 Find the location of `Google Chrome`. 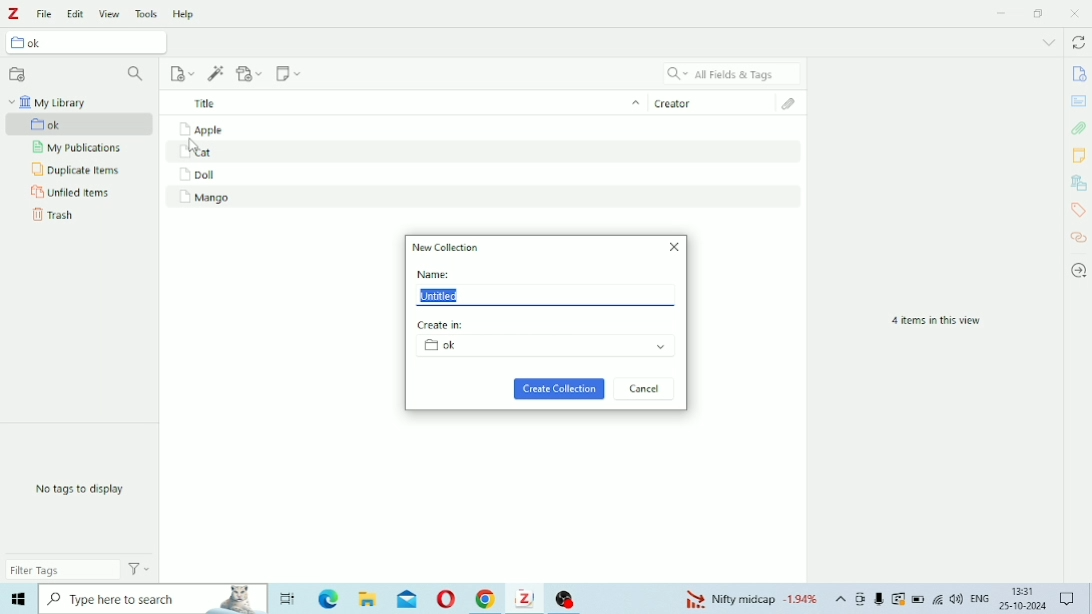

Google Chrome is located at coordinates (487, 599).